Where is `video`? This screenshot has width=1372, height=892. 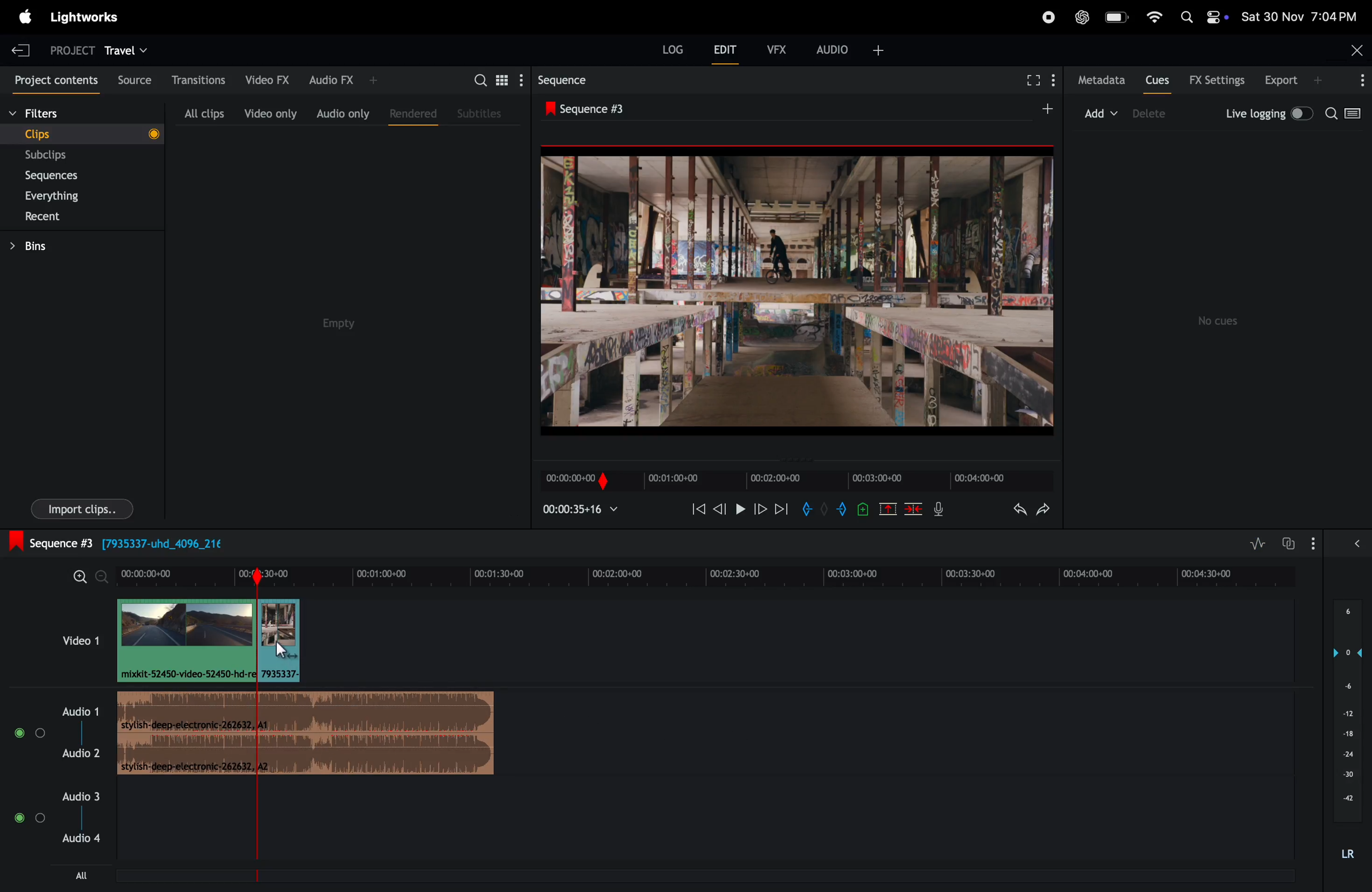
video is located at coordinates (70, 640).